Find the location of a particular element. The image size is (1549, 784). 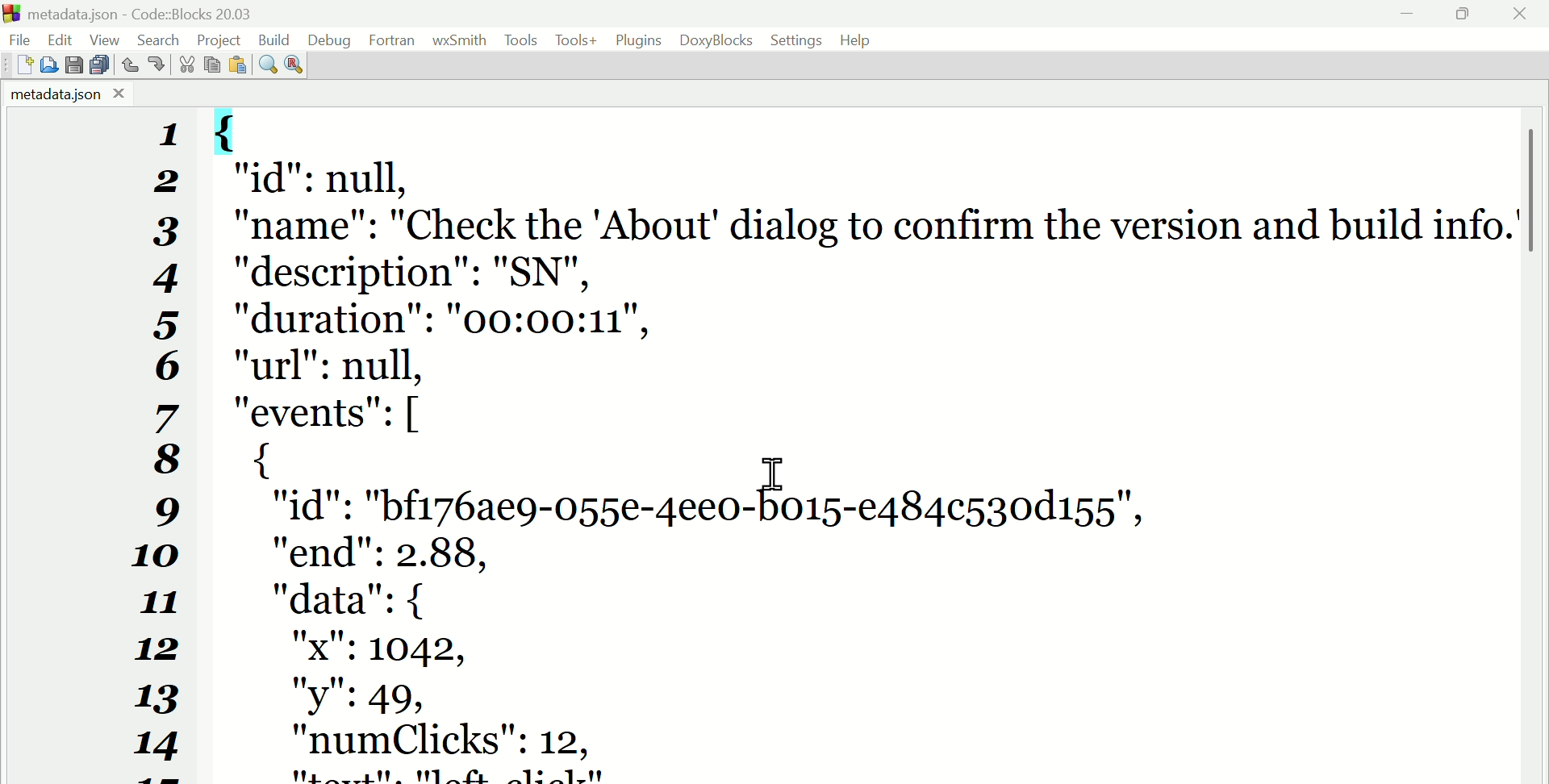

cursor is located at coordinates (772, 477).